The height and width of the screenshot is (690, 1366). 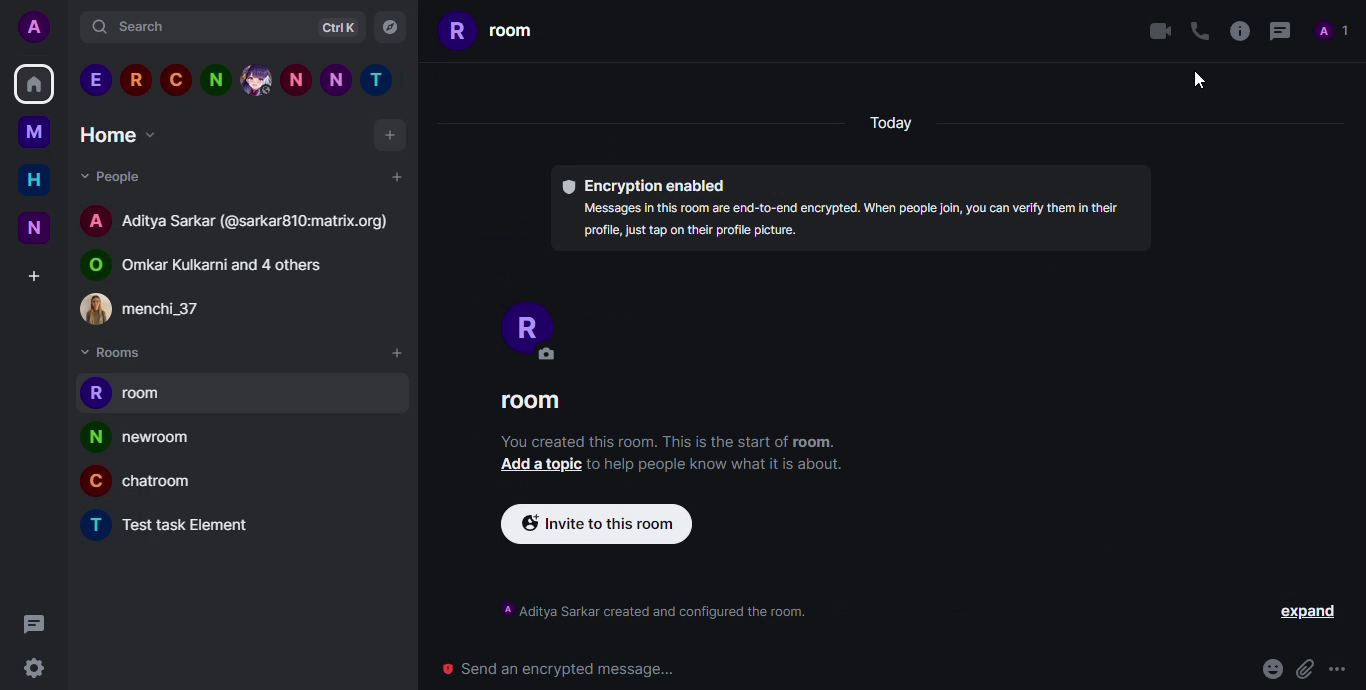 What do you see at coordinates (91, 266) in the screenshot?
I see `profile` at bounding box center [91, 266].